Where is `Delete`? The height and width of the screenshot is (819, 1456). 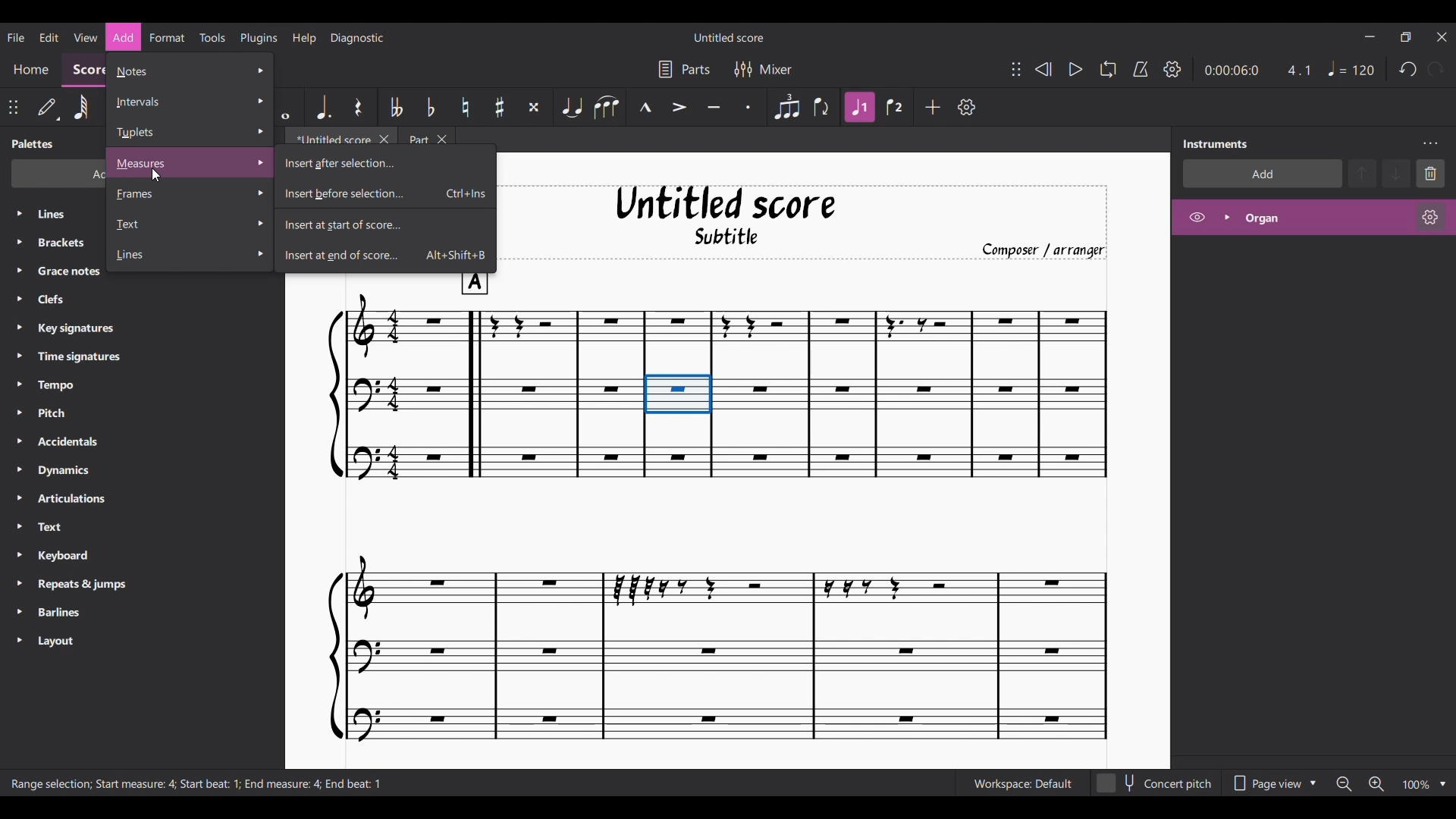
Delete is located at coordinates (1431, 173).